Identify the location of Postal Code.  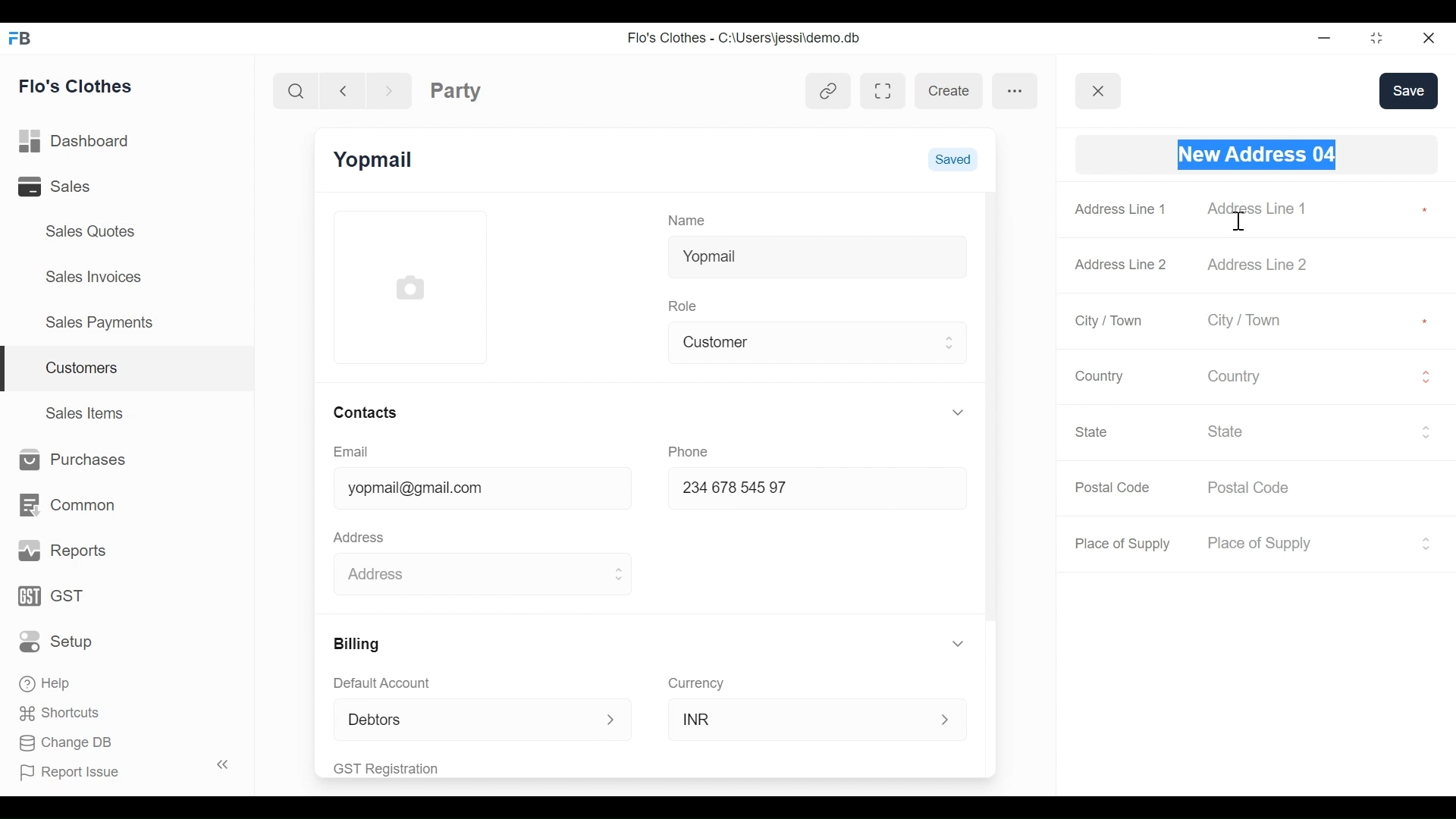
(1115, 488).